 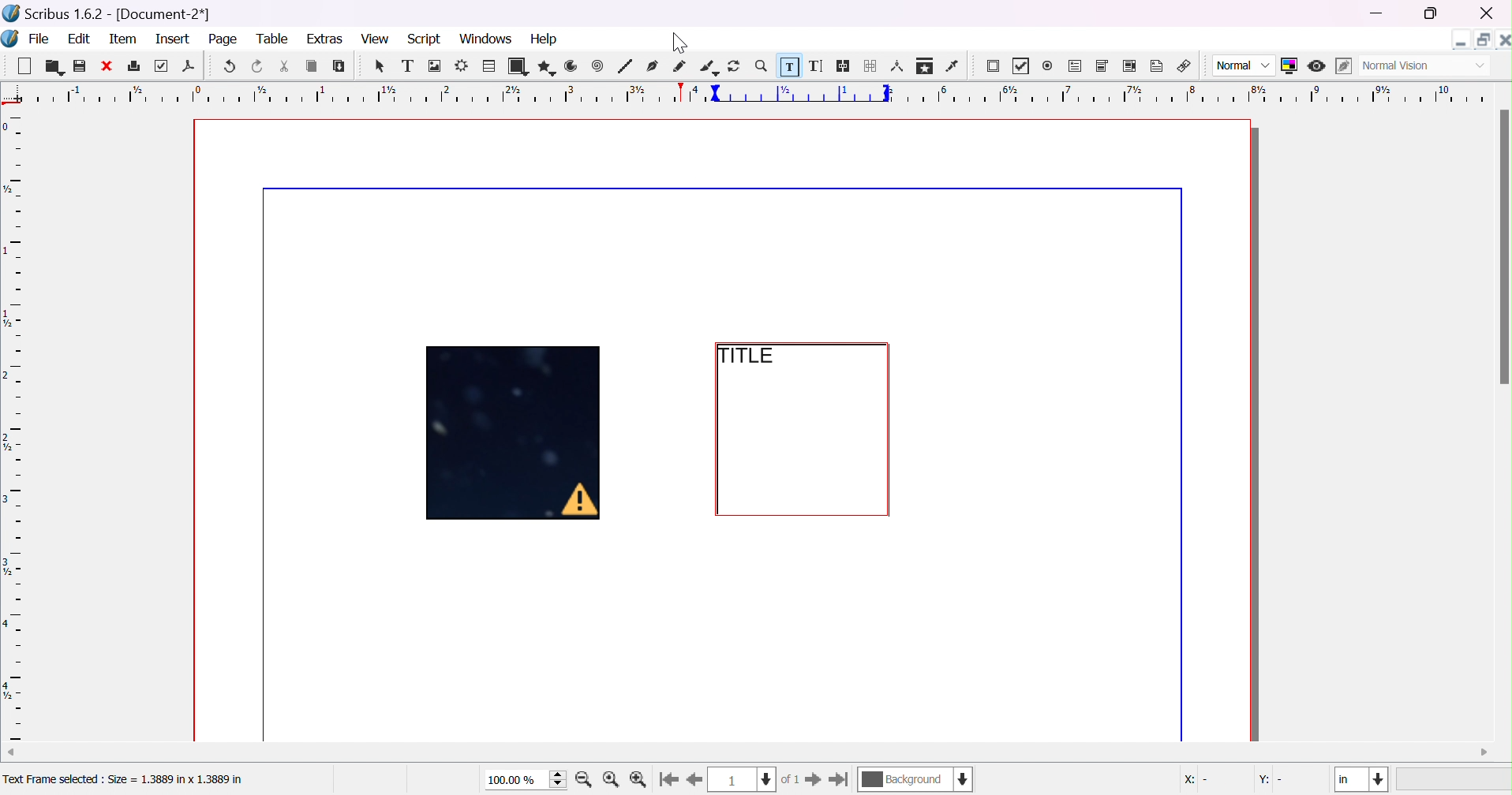 What do you see at coordinates (916, 778) in the screenshot?
I see `current layer` at bounding box center [916, 778].